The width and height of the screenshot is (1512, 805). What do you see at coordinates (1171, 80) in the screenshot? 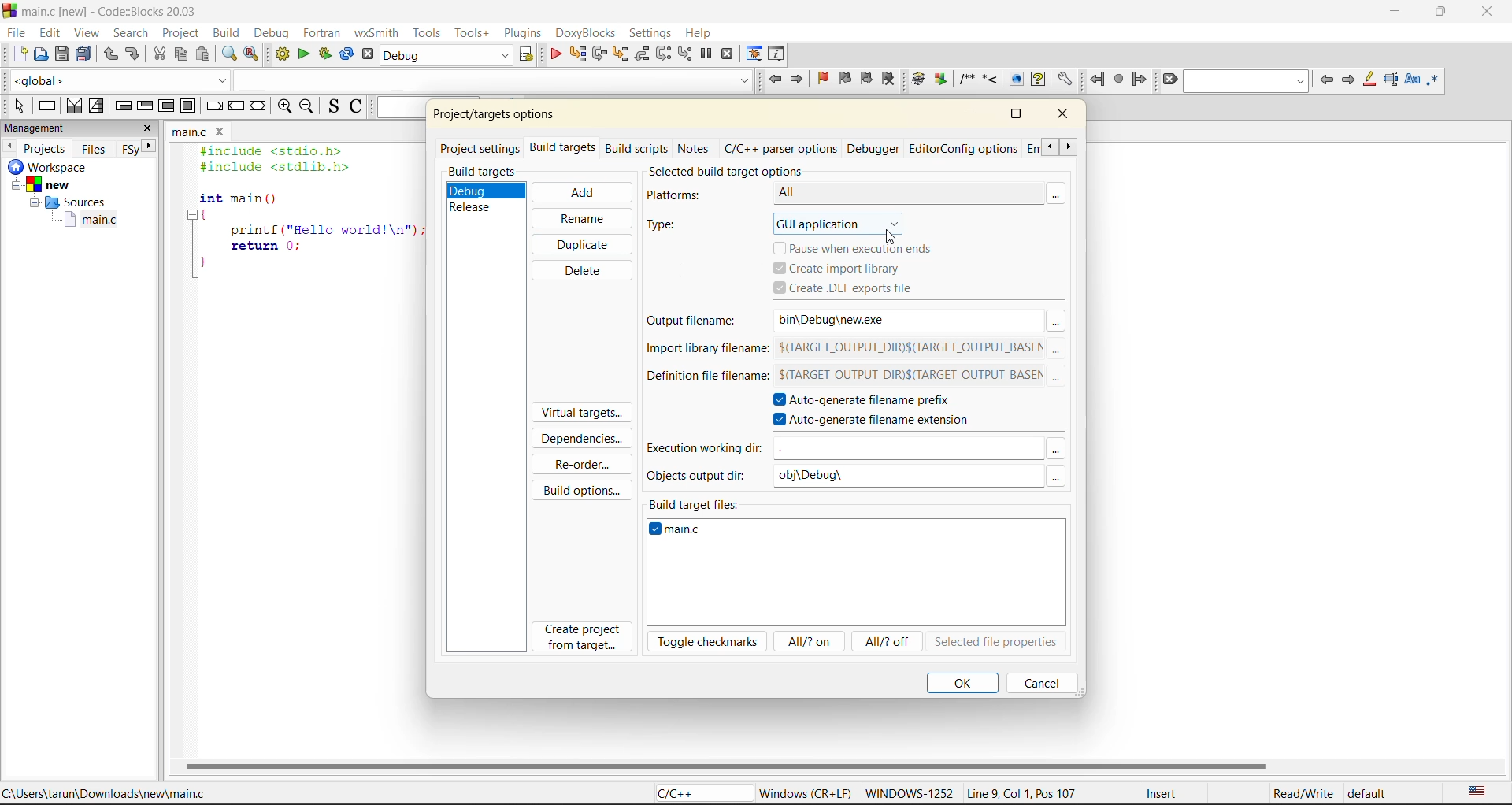
I see `clear` at bounding box center [1171, 80].